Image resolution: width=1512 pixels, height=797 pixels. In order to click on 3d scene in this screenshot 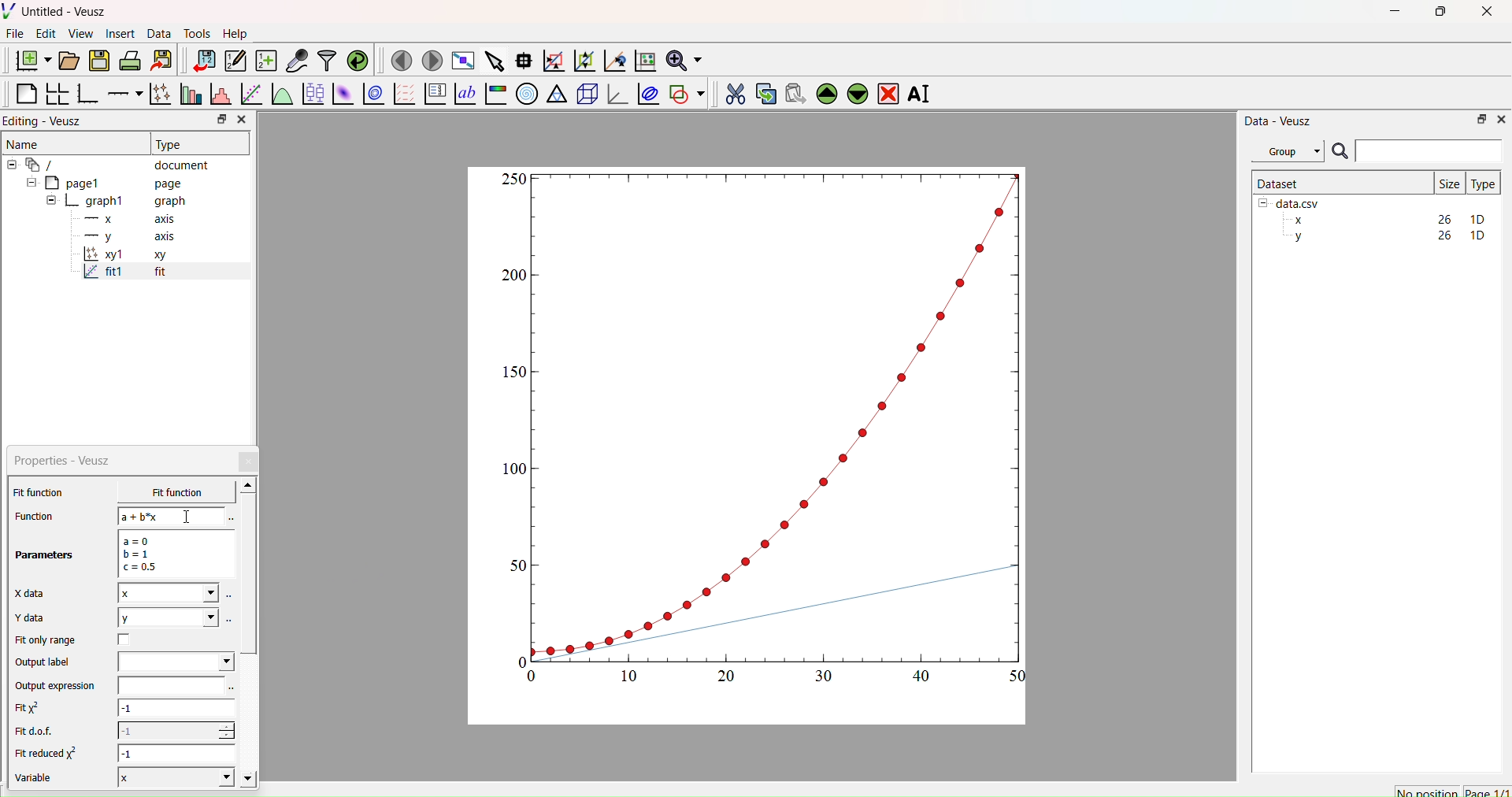, I will do `click(585, 91)`.